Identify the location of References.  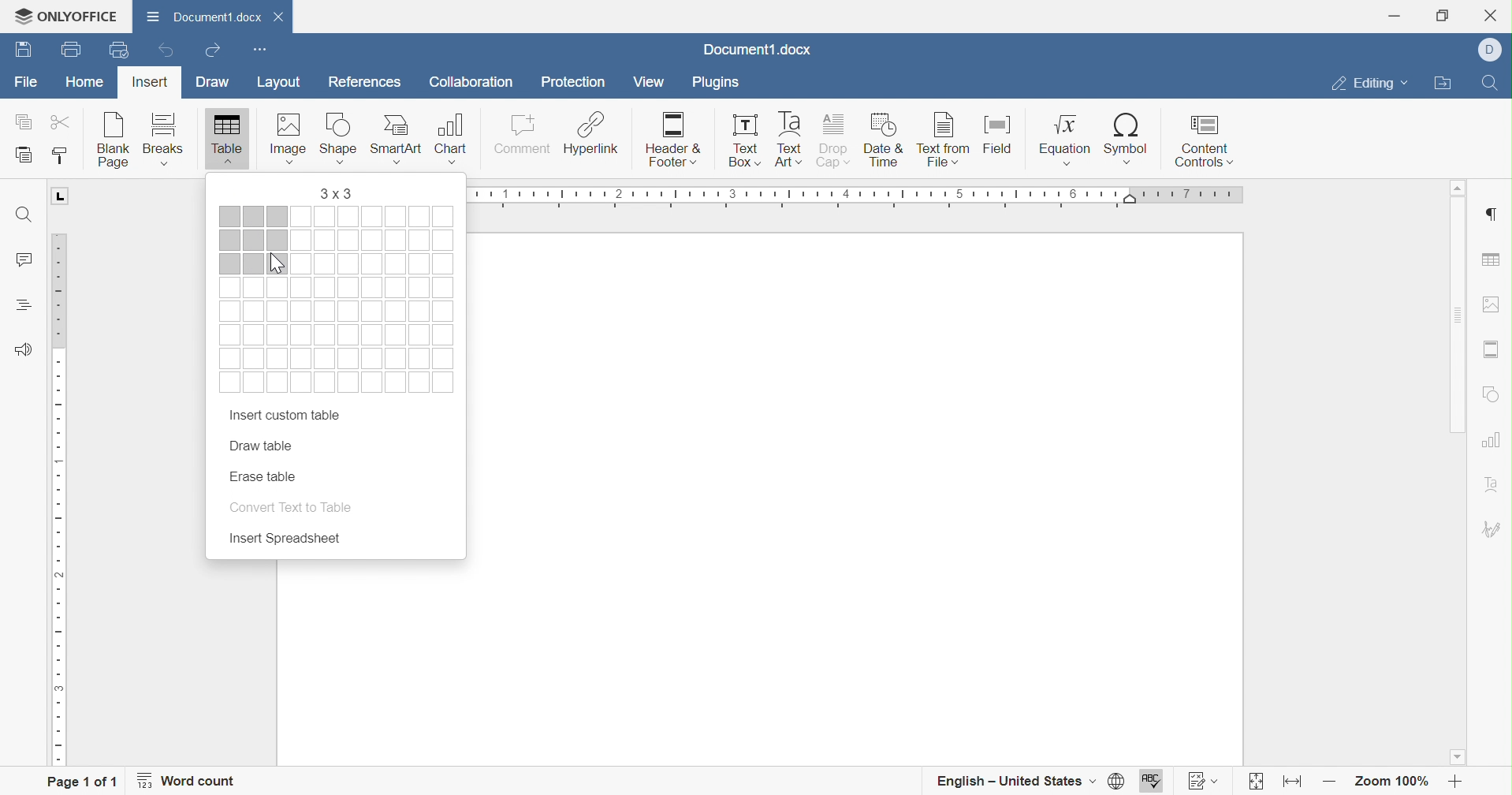
(370, 85).